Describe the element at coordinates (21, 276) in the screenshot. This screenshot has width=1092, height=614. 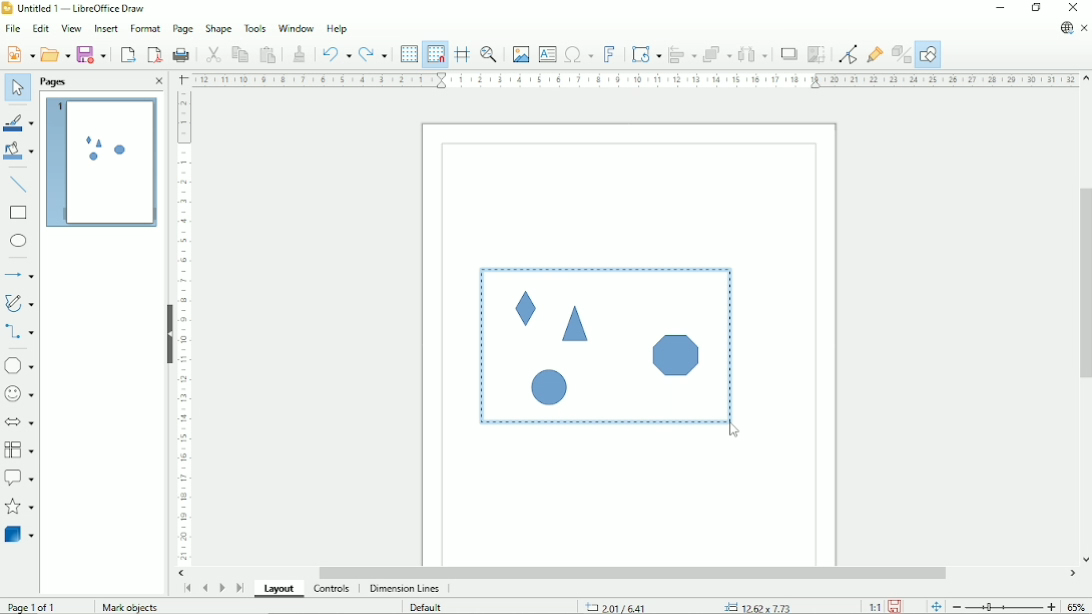
I see `Lines and arrows` at that location.